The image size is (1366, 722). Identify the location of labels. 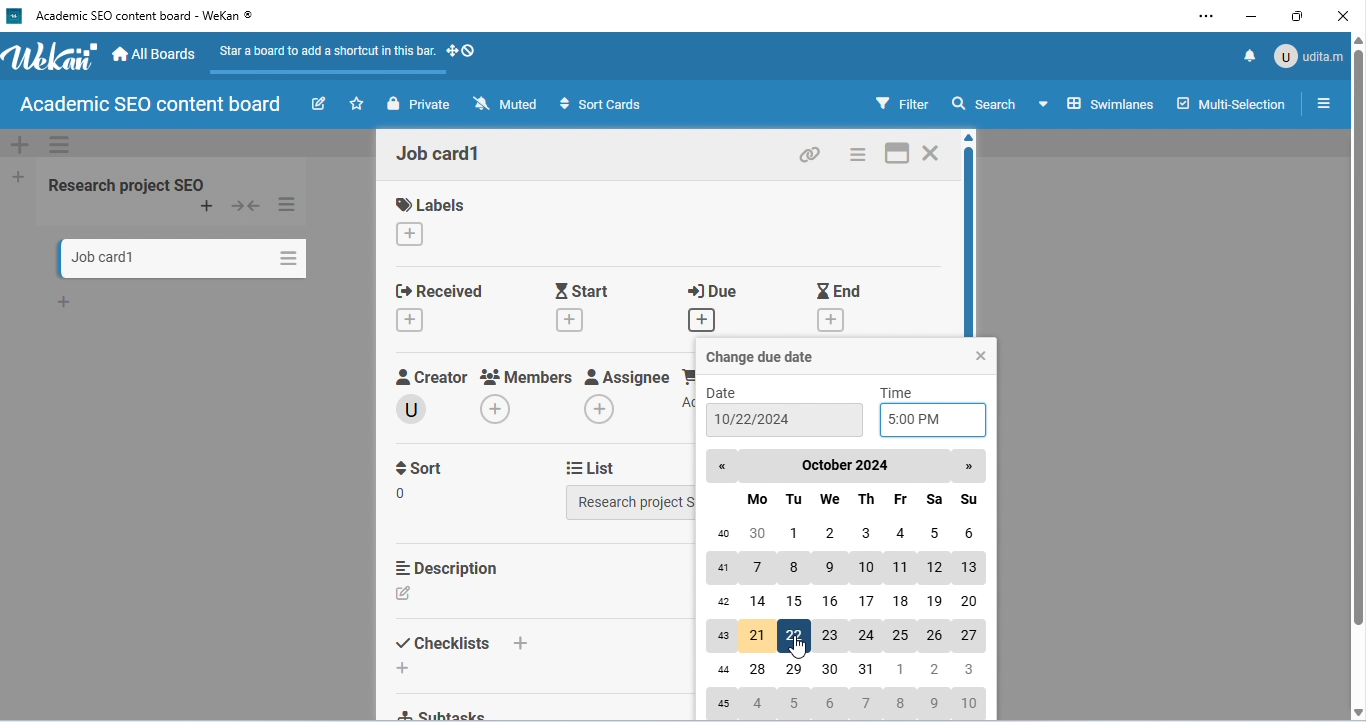
(433, 204).